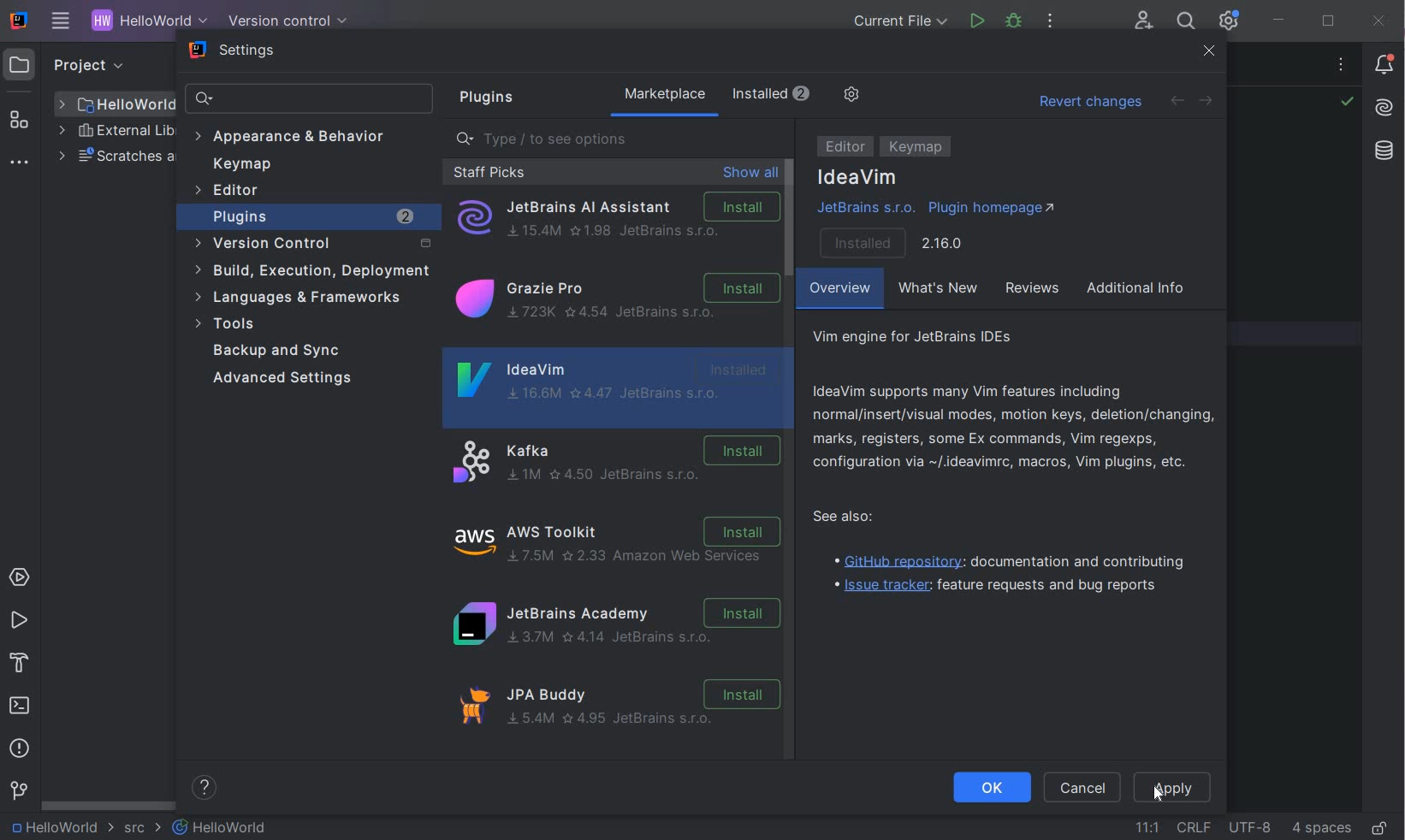 The image size is (1405, 840). Describe the element at coordinates (483, 98) in the screenshot. I see `plugins` at that location.